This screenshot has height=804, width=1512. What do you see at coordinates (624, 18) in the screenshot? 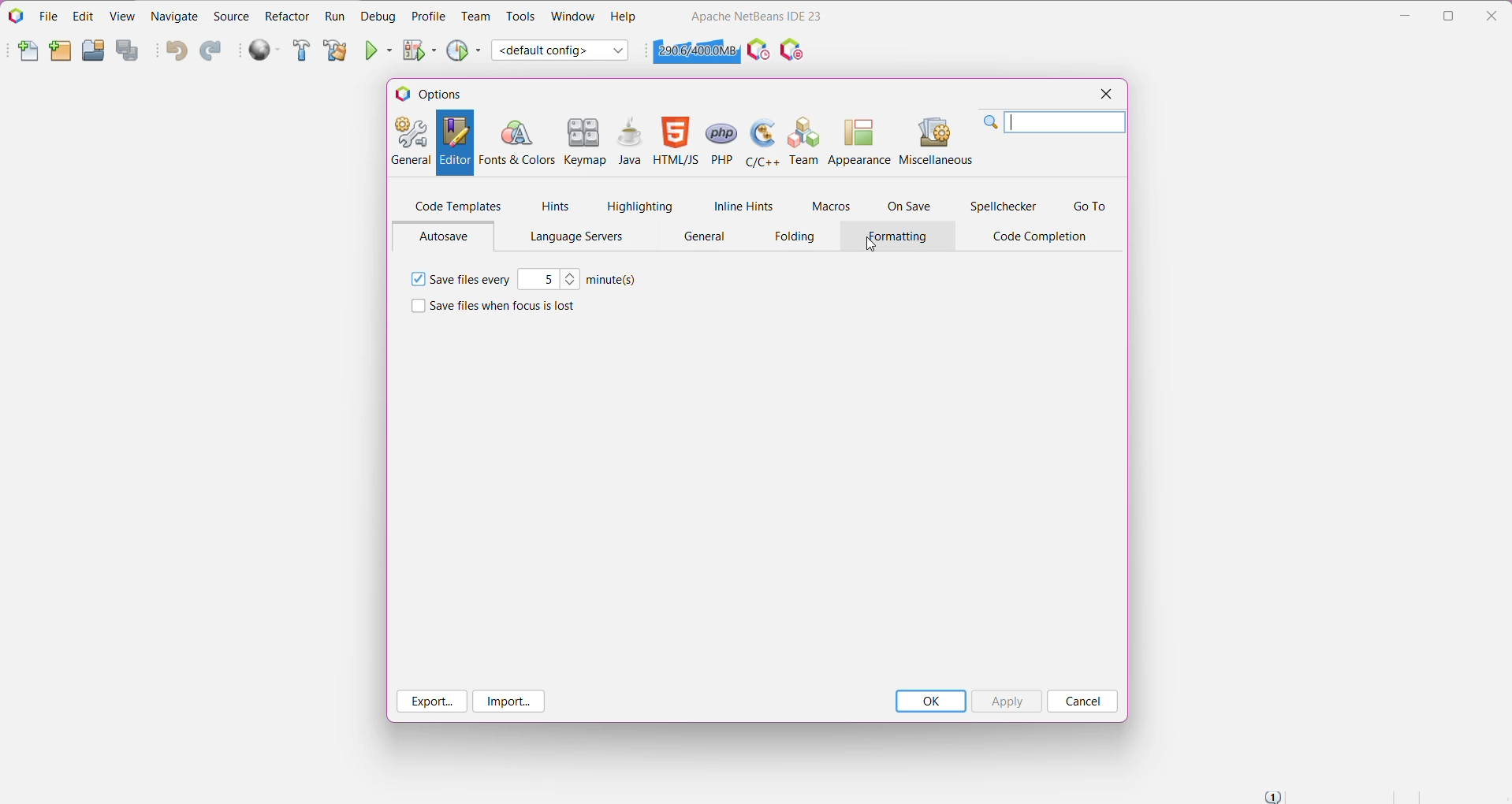
I see `Help` at bounding box center [624, 18].